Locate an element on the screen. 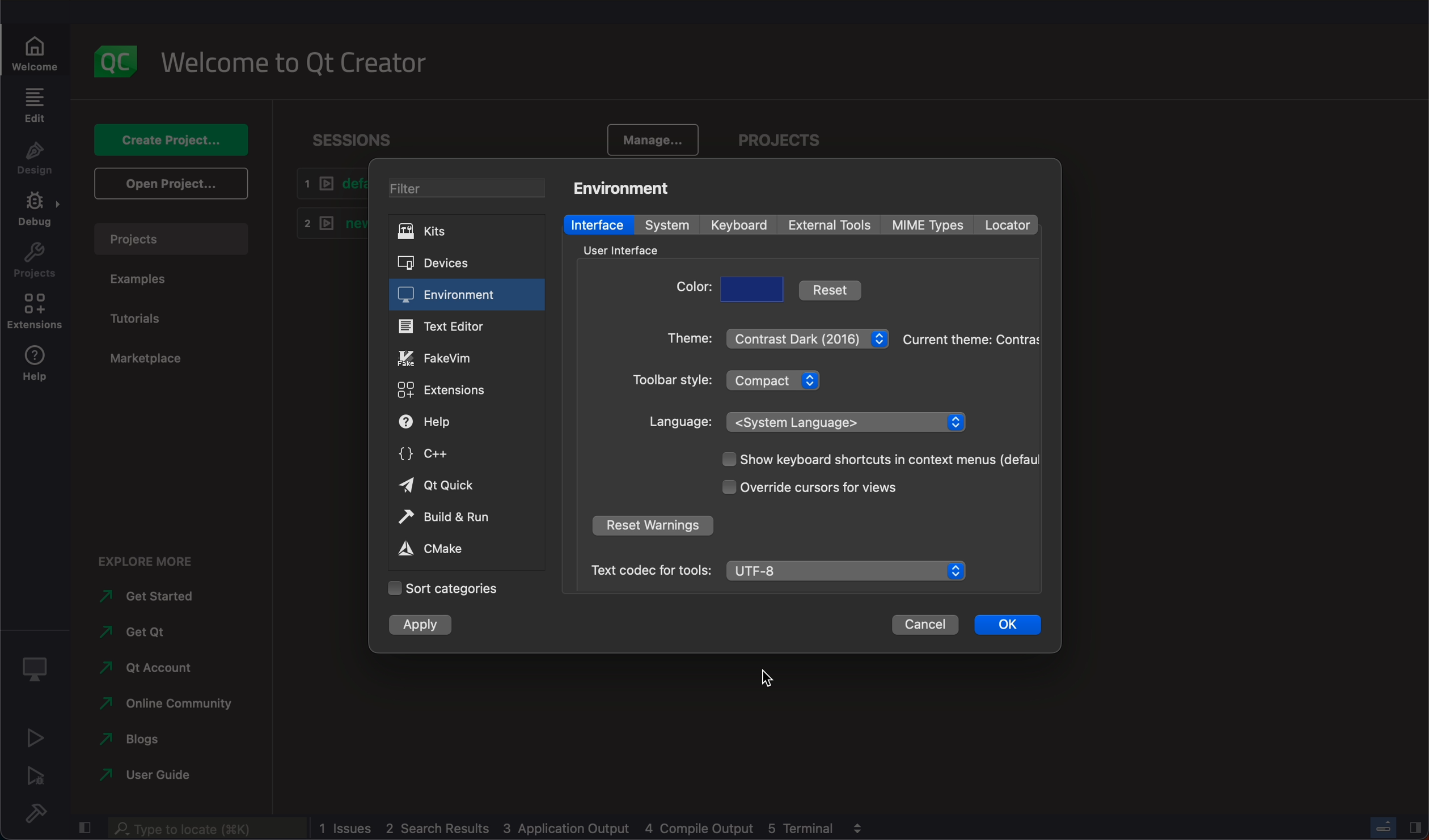  user  is located at coordinates (147, 774).